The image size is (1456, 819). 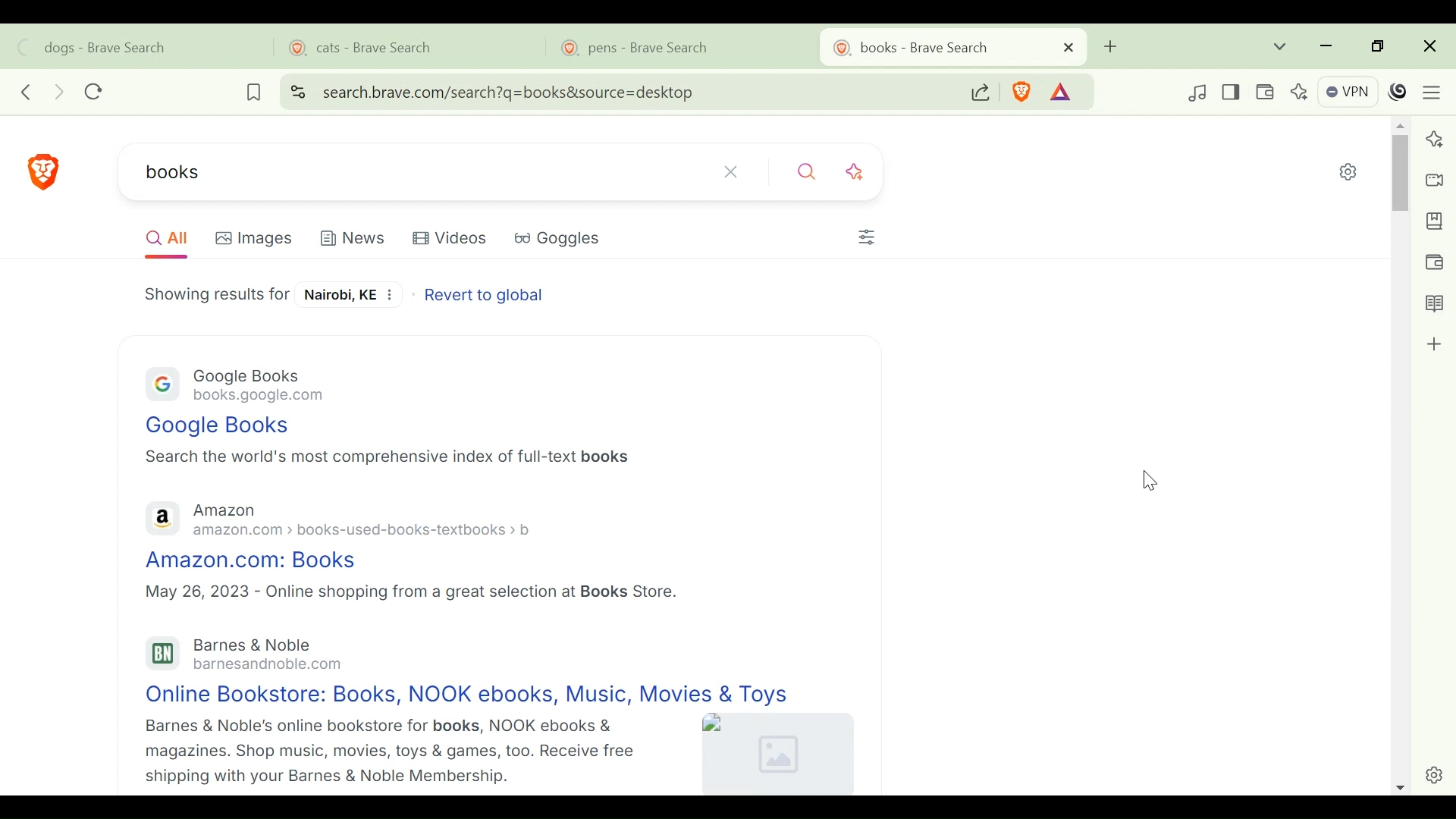 I want to click on GOOGLE LOGO, so click(x=155, y=381).